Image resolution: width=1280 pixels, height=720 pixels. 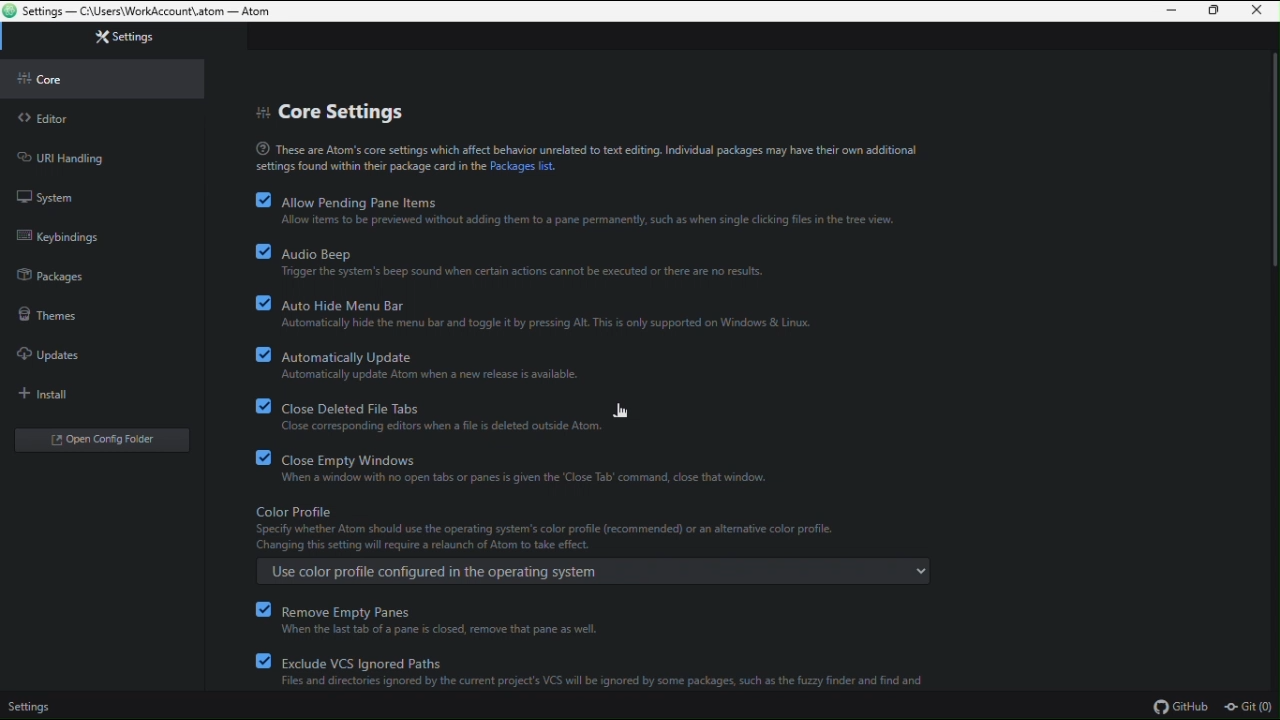 What do you see at coordinates (33, 706) in the screenshot?
I see `Settings` at bounding box center [33, 706].